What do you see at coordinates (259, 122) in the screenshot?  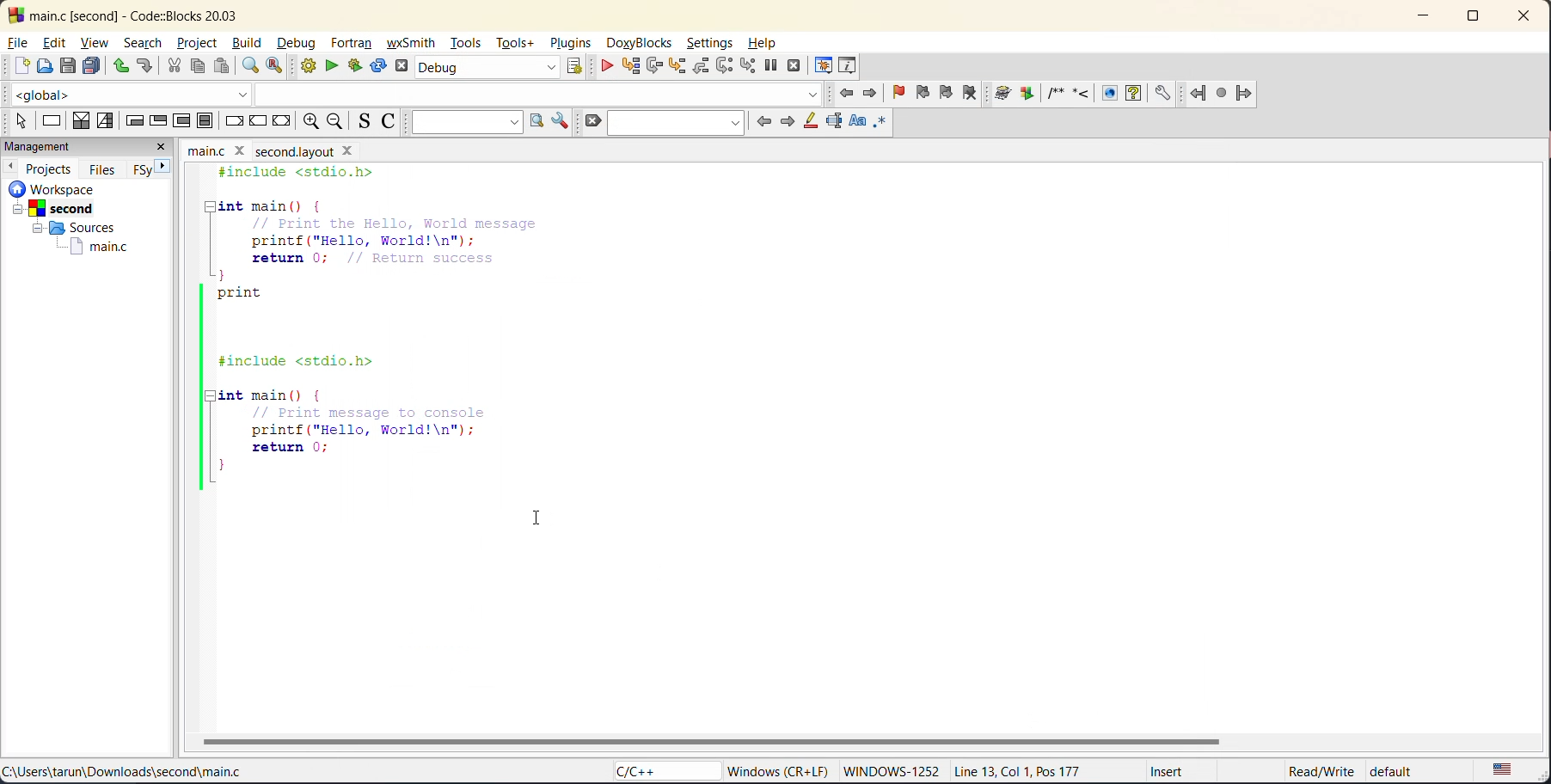 I see `continue instruction` at bounding box center [259, 122].